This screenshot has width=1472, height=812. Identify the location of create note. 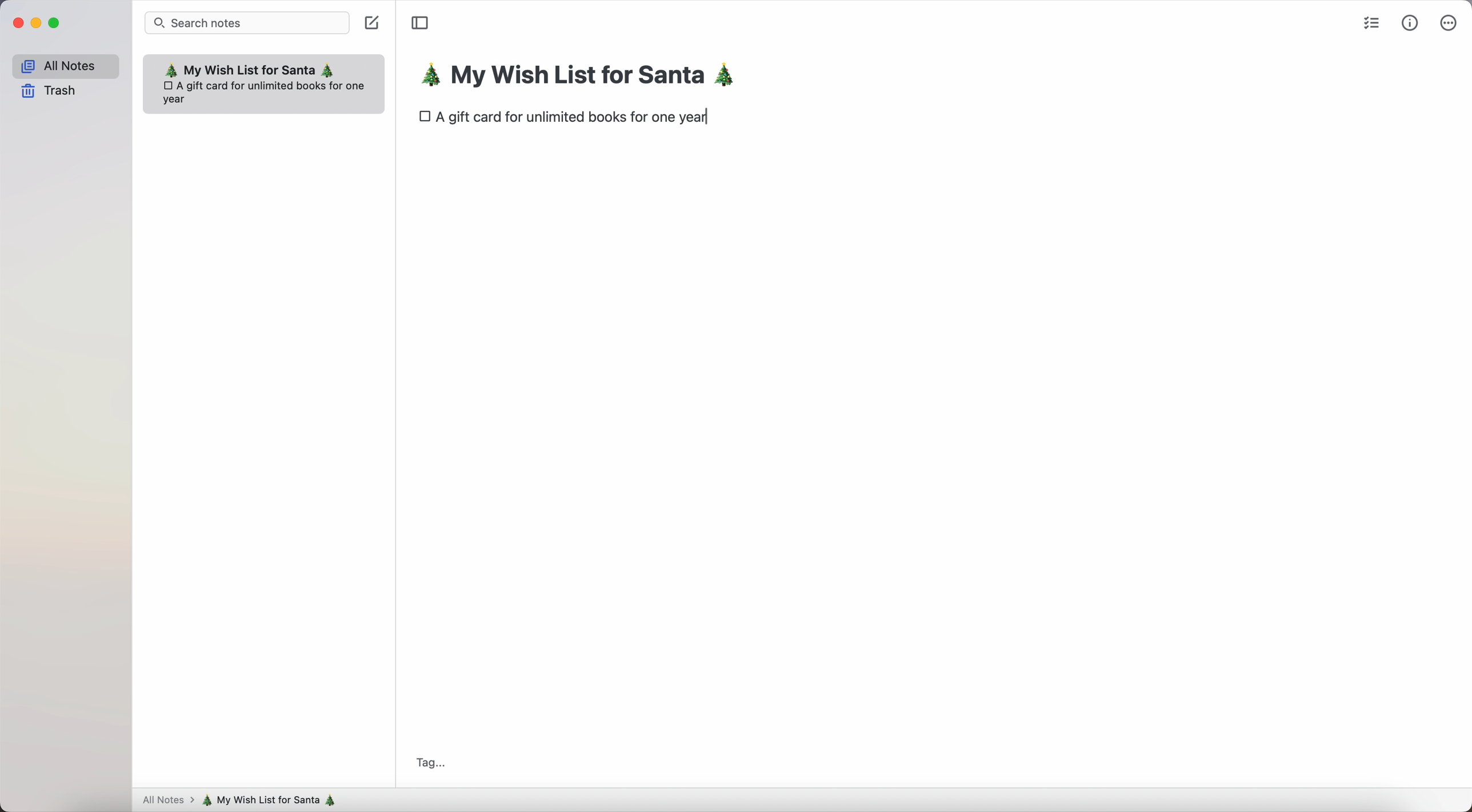
(374, 25).